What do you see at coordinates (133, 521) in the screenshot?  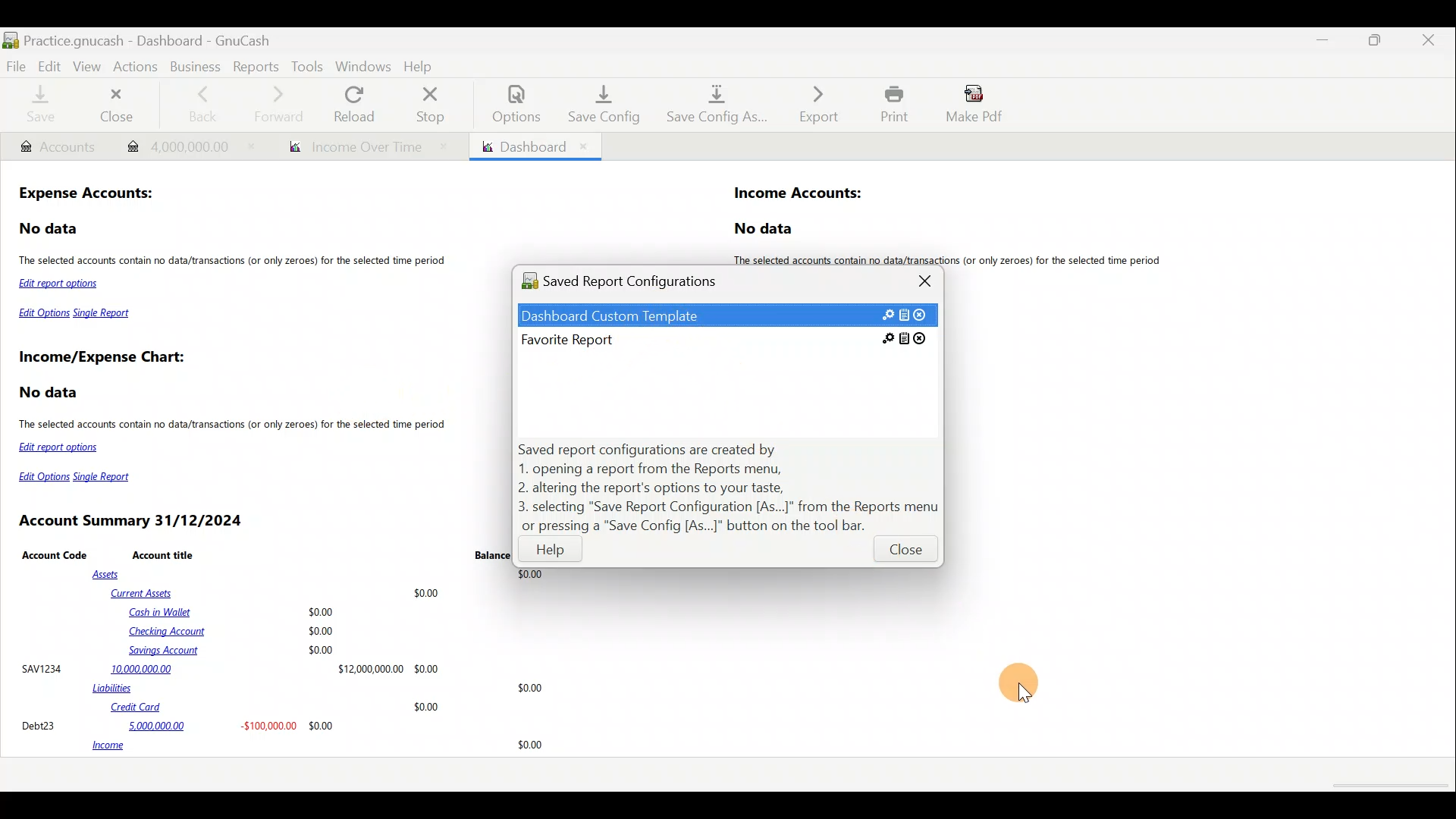 I see `Account Summary 31/12/2024` at bounding box center [133, 521].